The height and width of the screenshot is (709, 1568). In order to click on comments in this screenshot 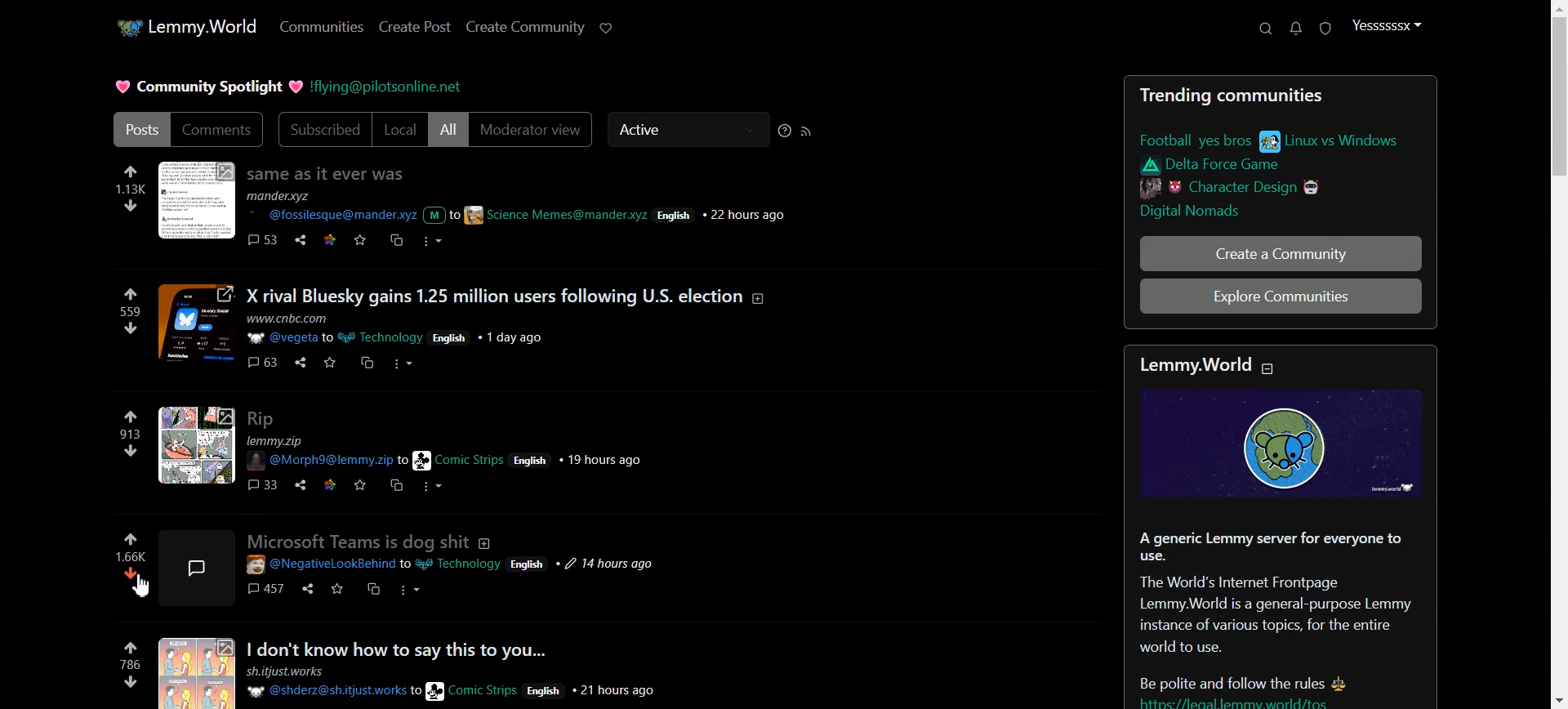, I will do `click(262, 241)`.